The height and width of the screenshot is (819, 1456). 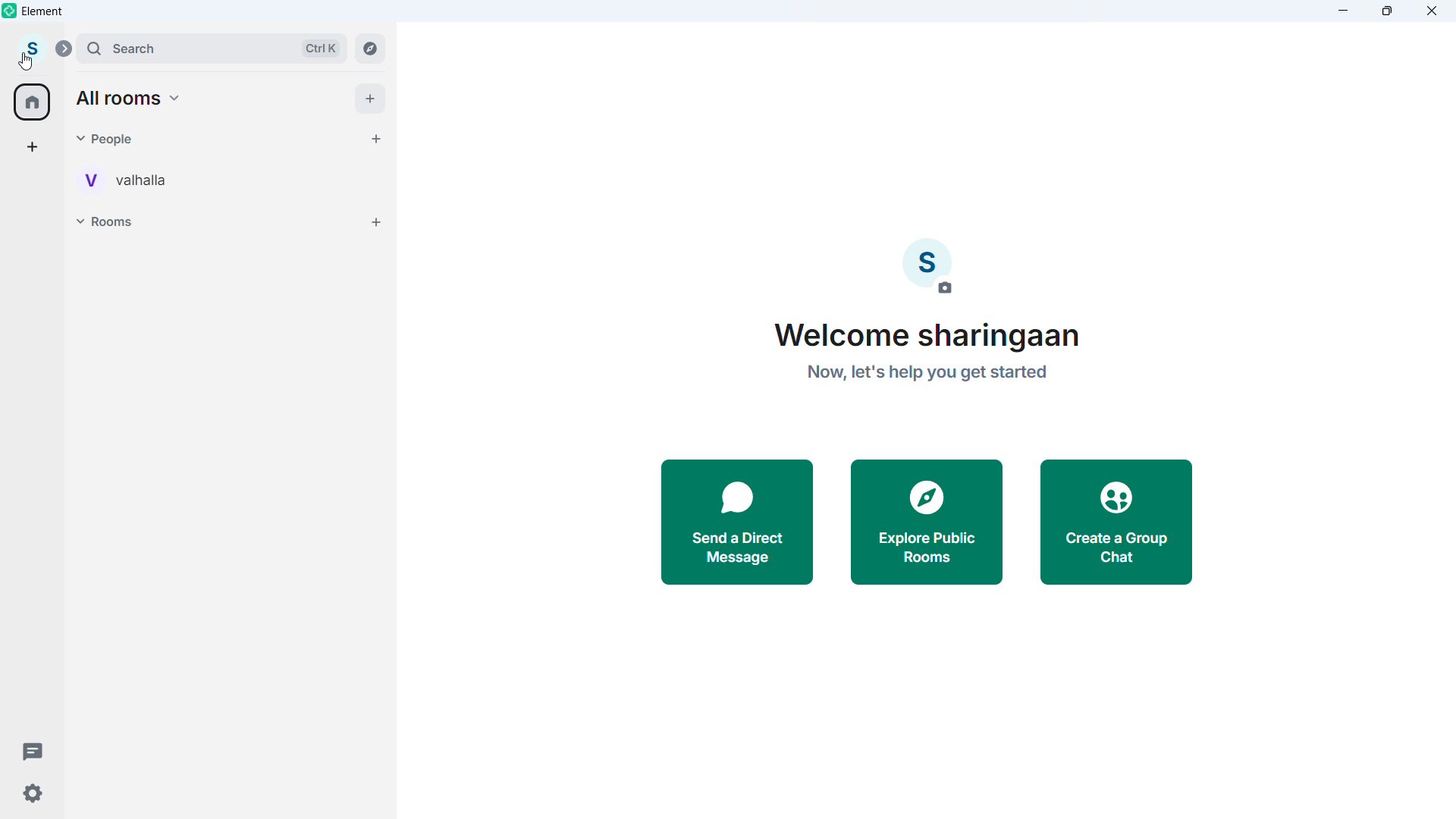 I want to click on Personal room , so click(x=133, y=180).